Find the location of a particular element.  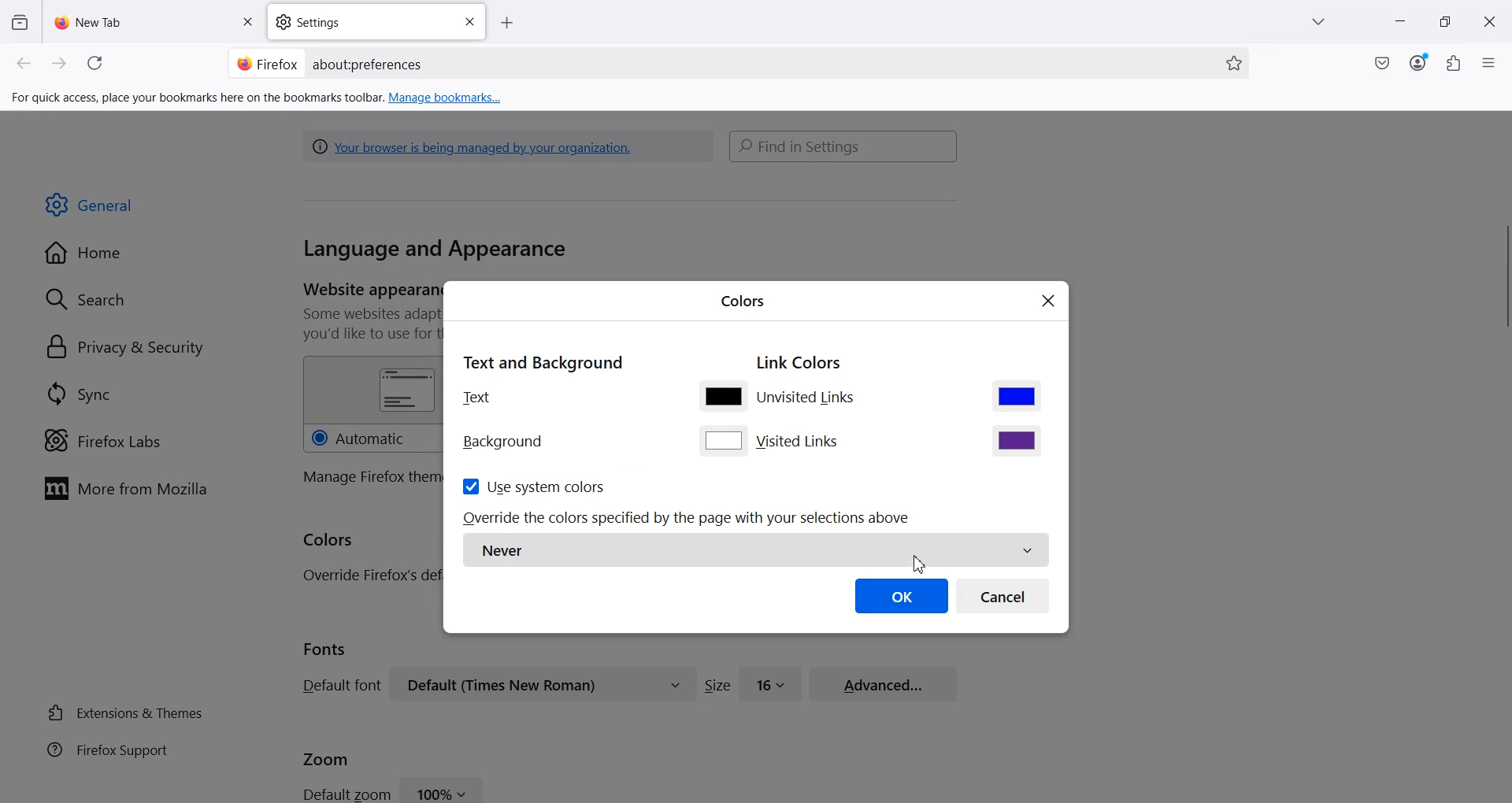

Fonts is located at coordinates (325, 649).